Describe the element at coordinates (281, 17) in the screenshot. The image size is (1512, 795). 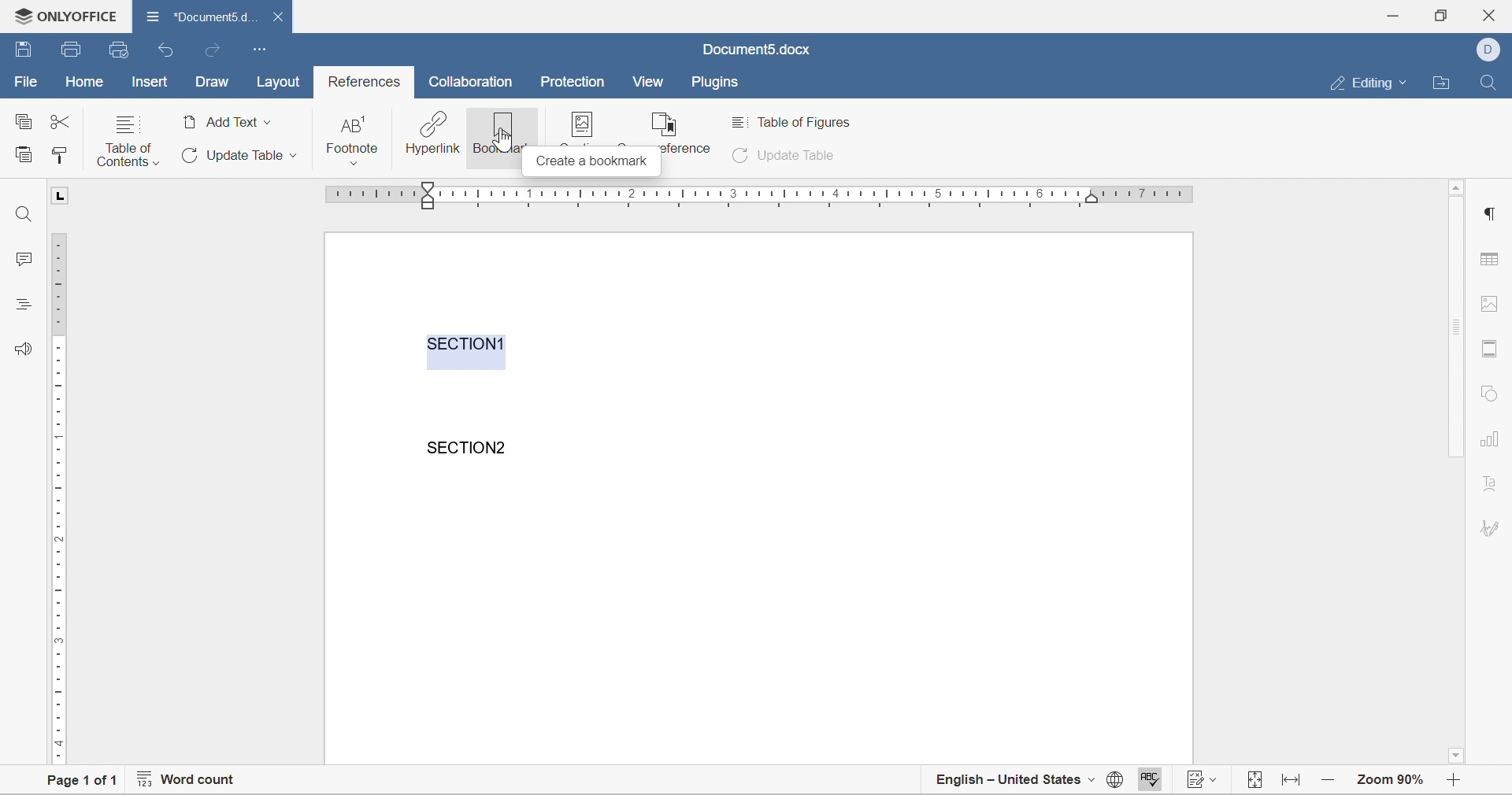
I see `close` at that location.